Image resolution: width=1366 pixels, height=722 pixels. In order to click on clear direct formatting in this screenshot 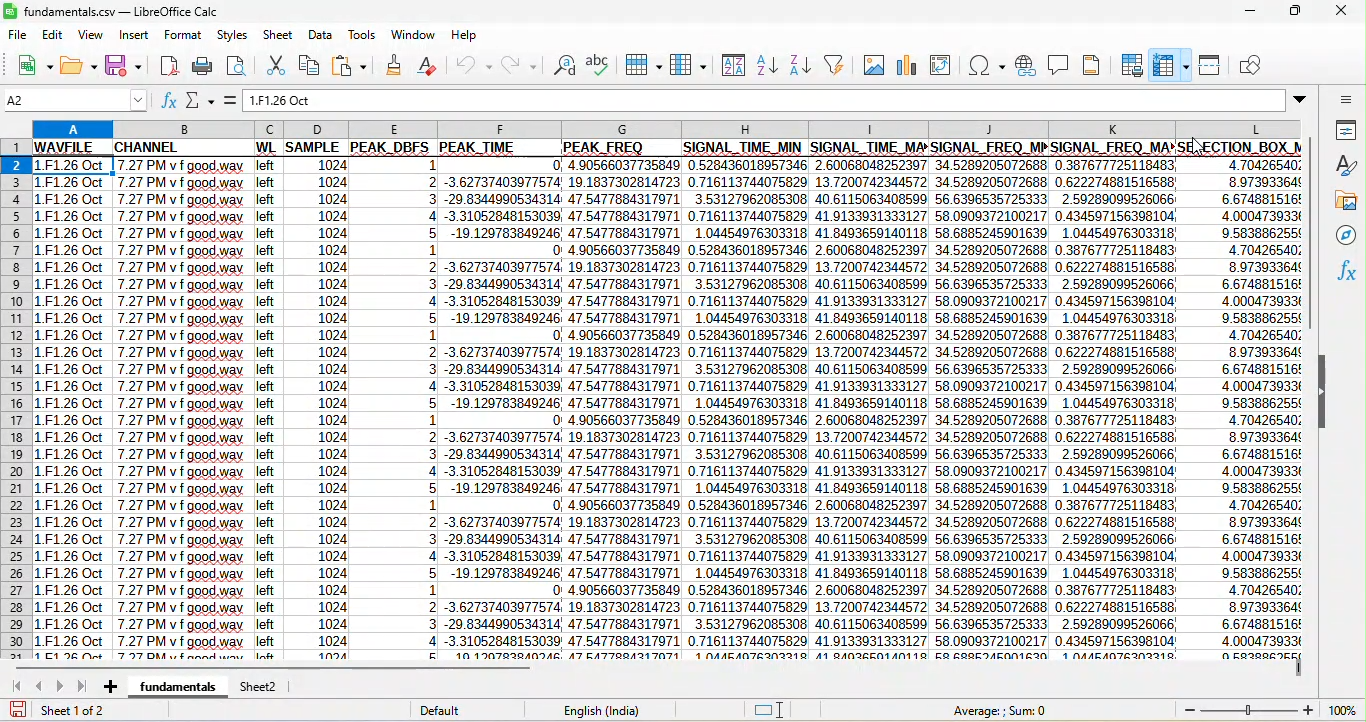, I will do `click(428, 66)`.